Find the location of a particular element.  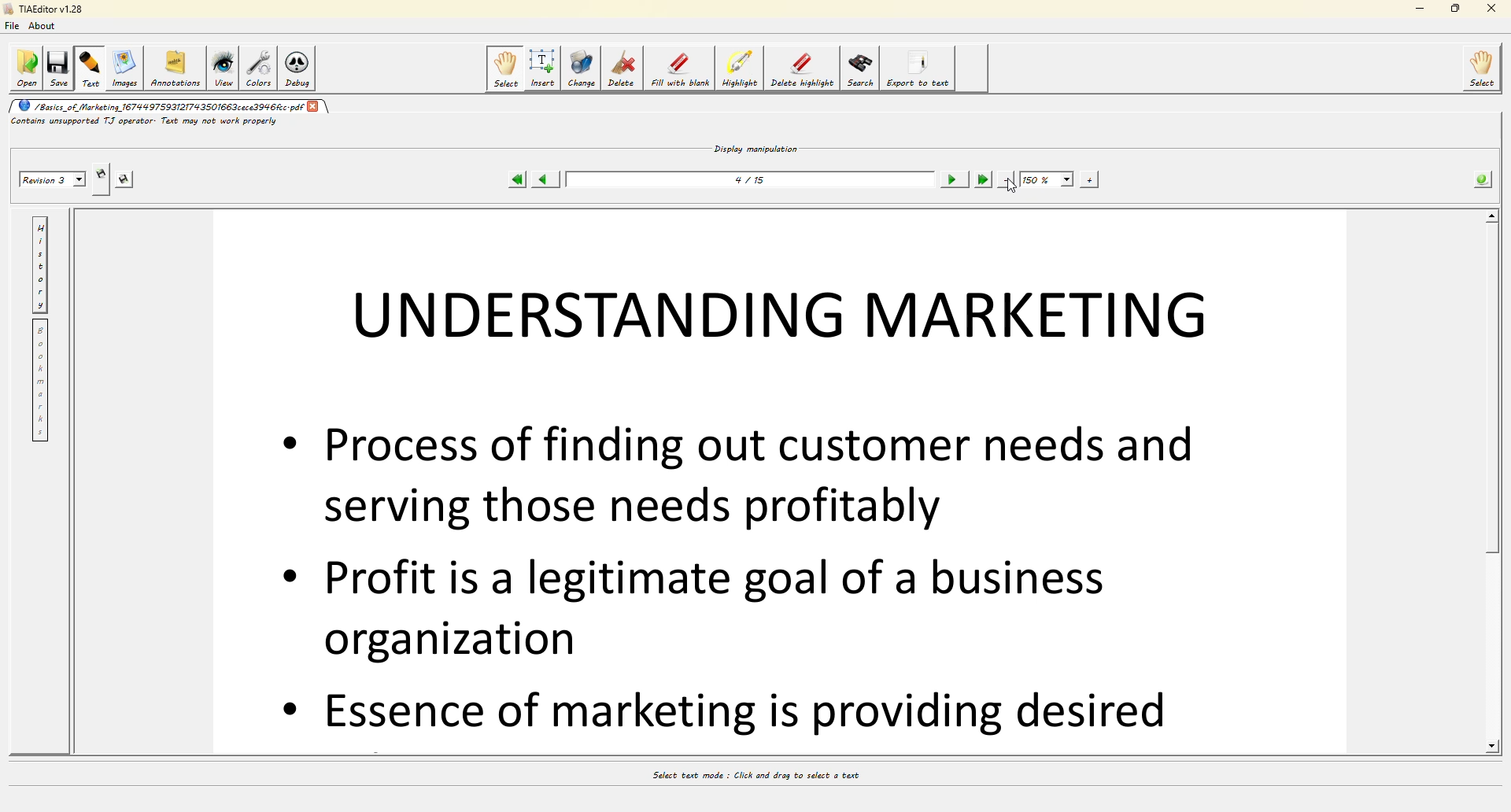

previous page is located at coordinates (546, 179).